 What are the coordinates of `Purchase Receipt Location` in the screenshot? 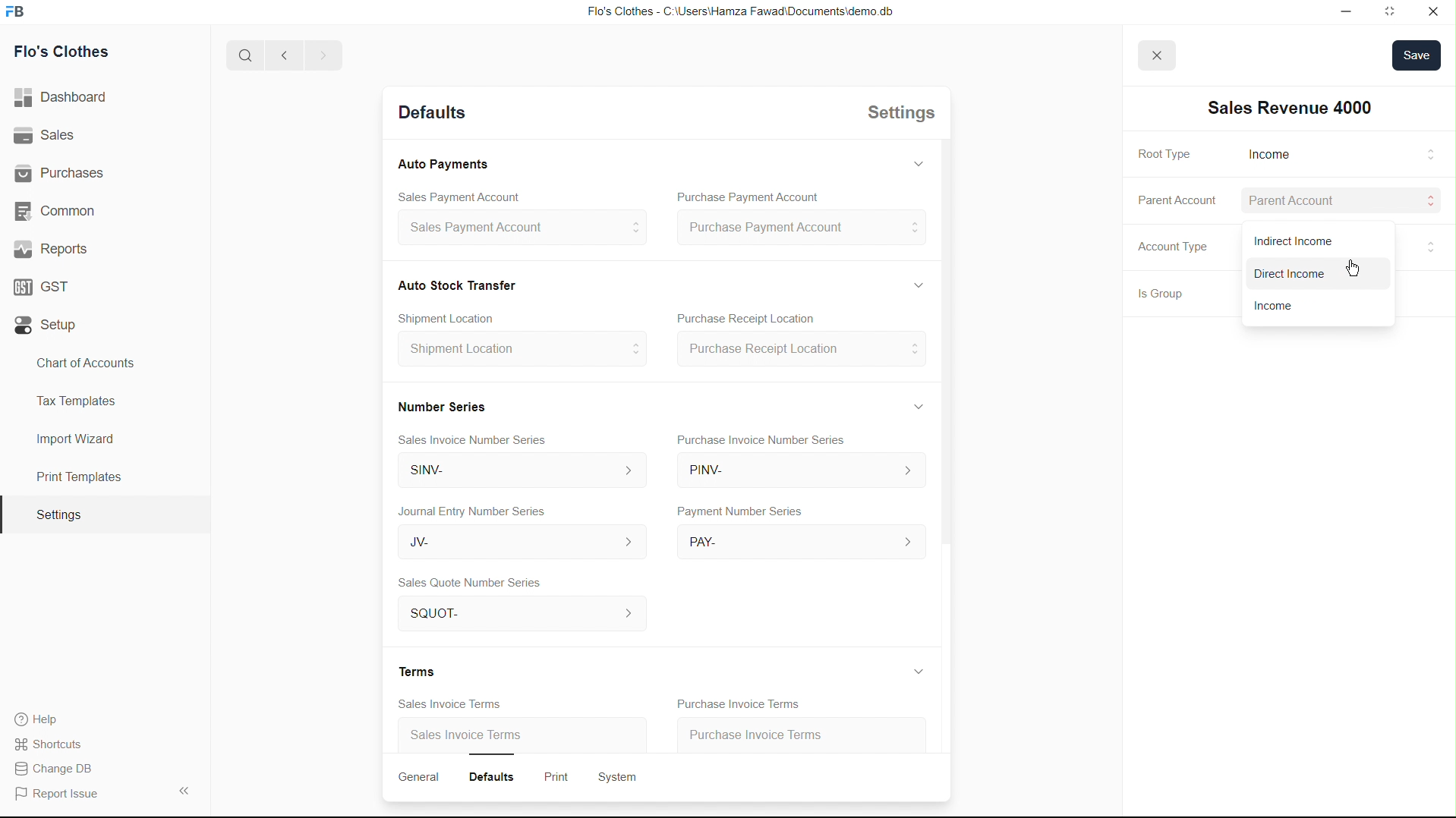 It's located at (764, 319).